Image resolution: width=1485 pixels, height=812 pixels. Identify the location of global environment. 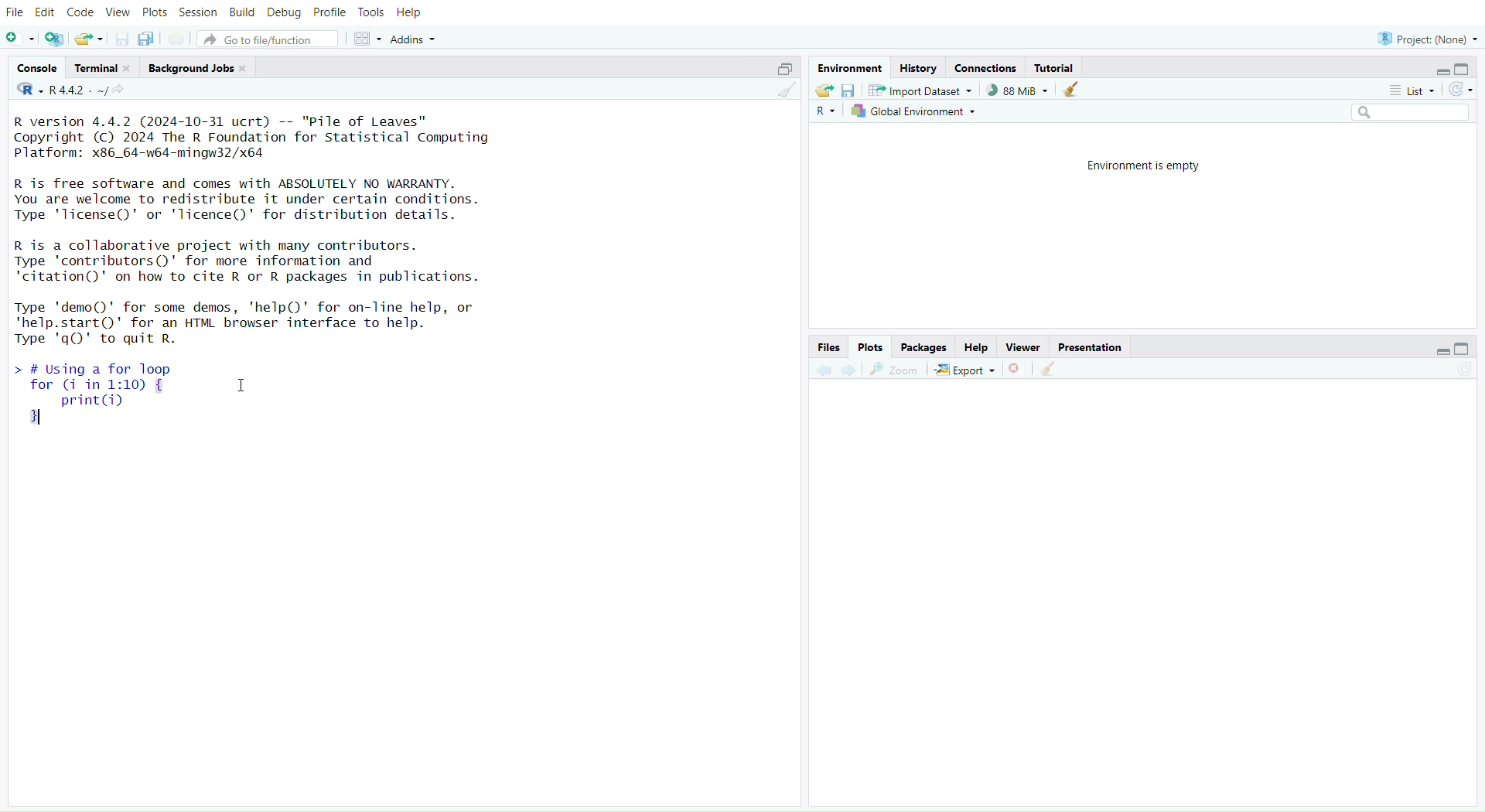
(916, 112).